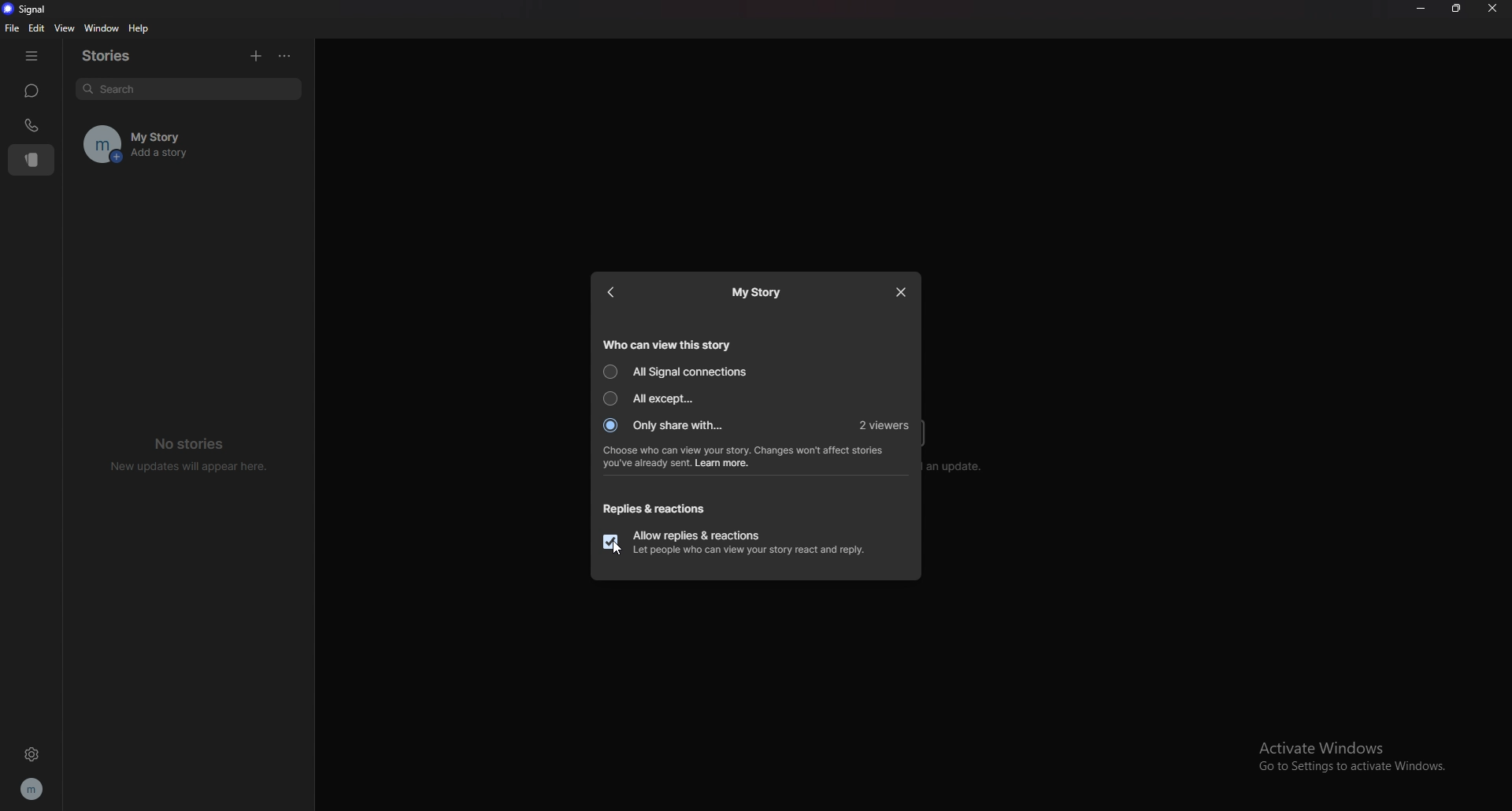  What do you see at coordinates (33, 160) in the screenshot?
I see `stories` at bounding box center [33, 160].